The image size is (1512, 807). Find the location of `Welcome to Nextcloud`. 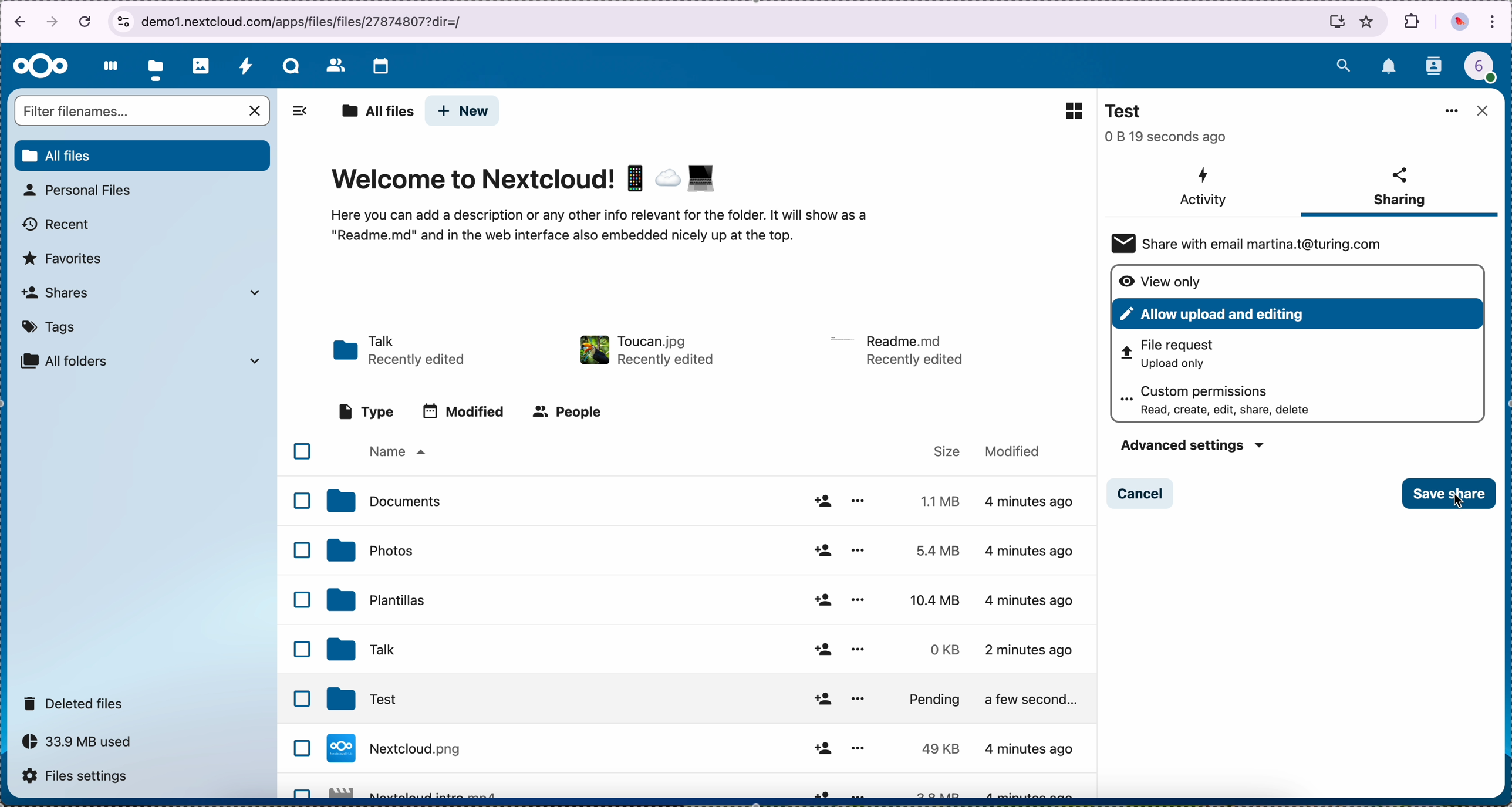

Welcome to Nextcloud is located at coordinates (526, 181).